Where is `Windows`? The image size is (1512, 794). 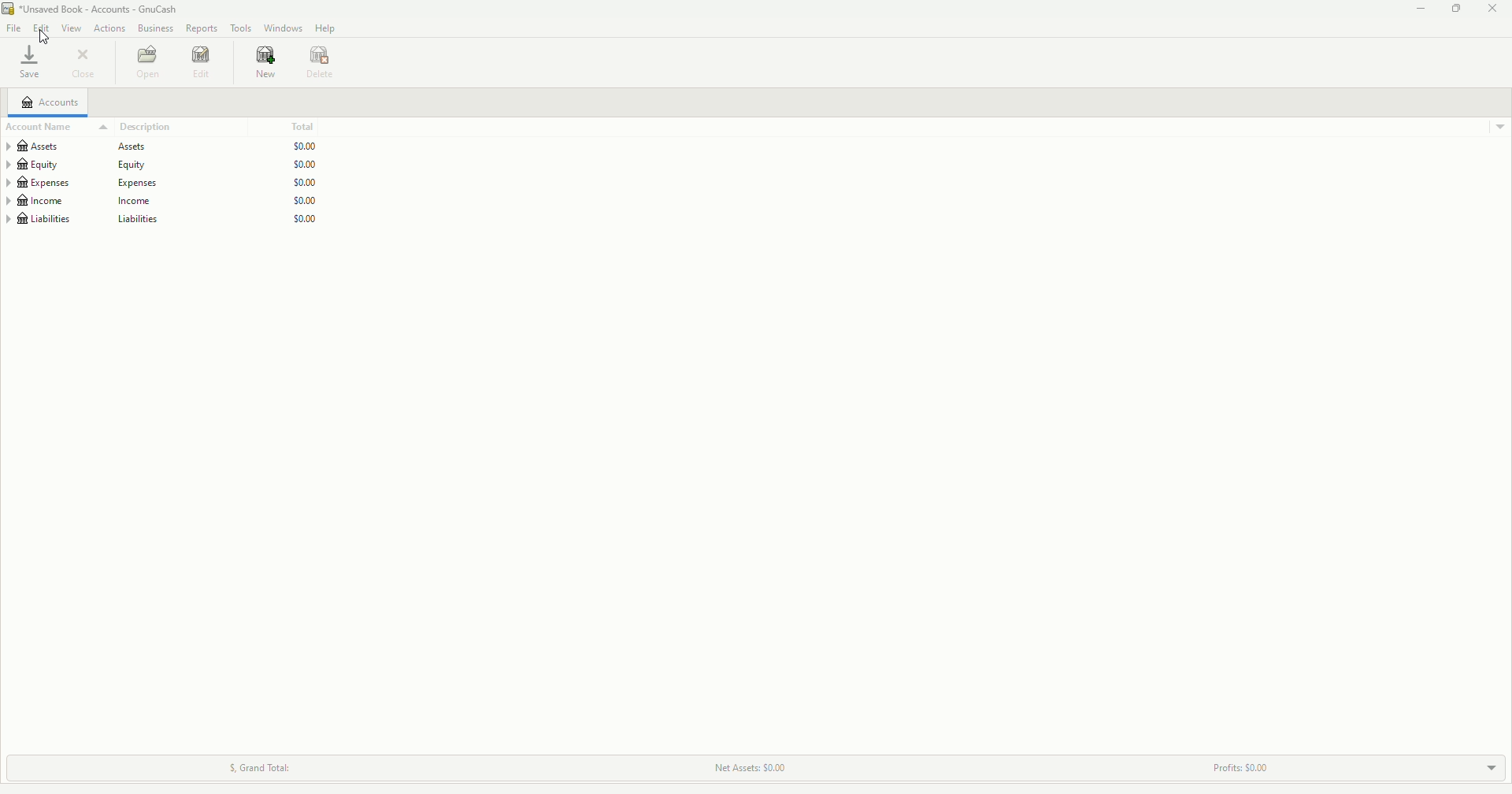
Windows is located at coordinates (282, 28).